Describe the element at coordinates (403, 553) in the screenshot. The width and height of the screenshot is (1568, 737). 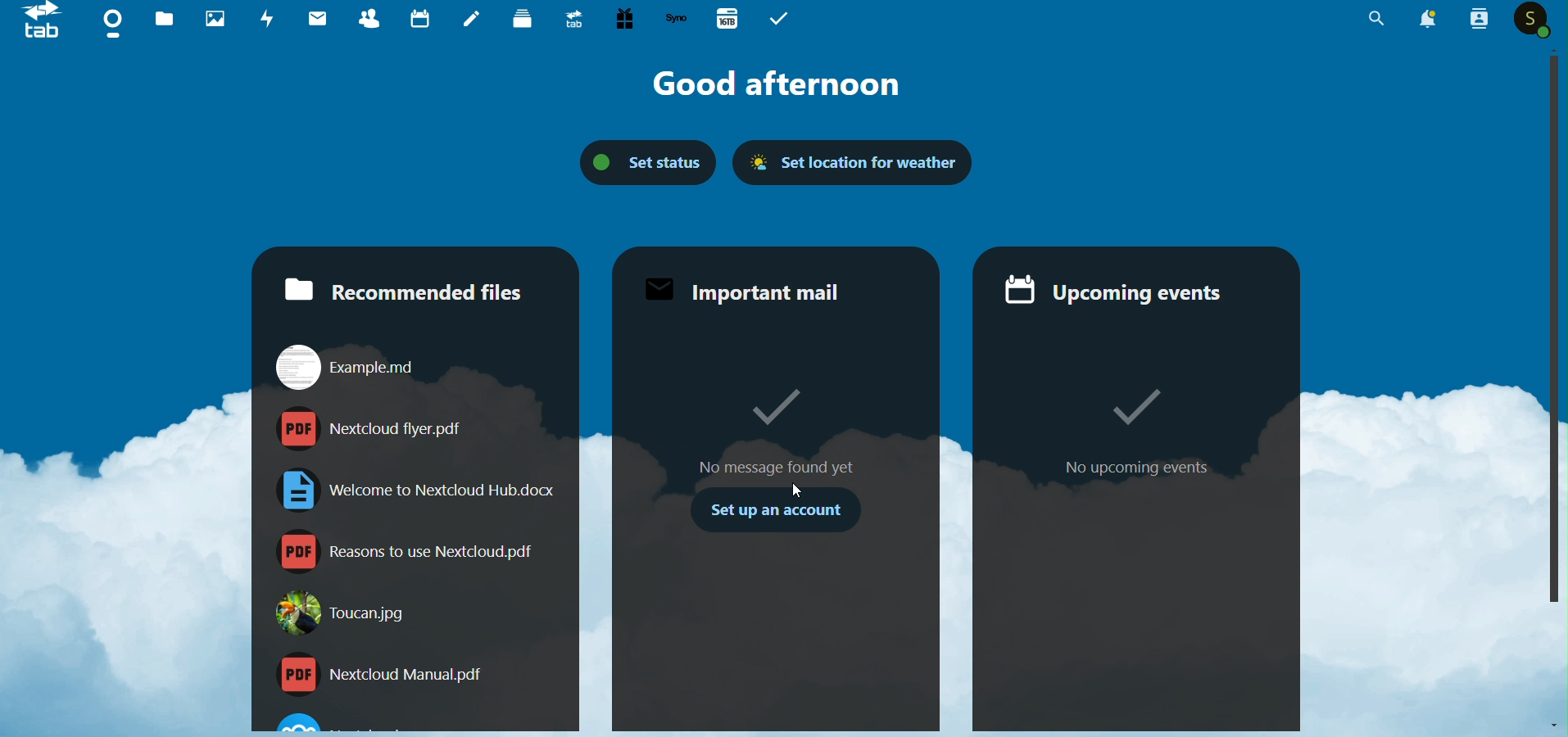
I see `Reasons to use Nextcloud.pdf` at that location.